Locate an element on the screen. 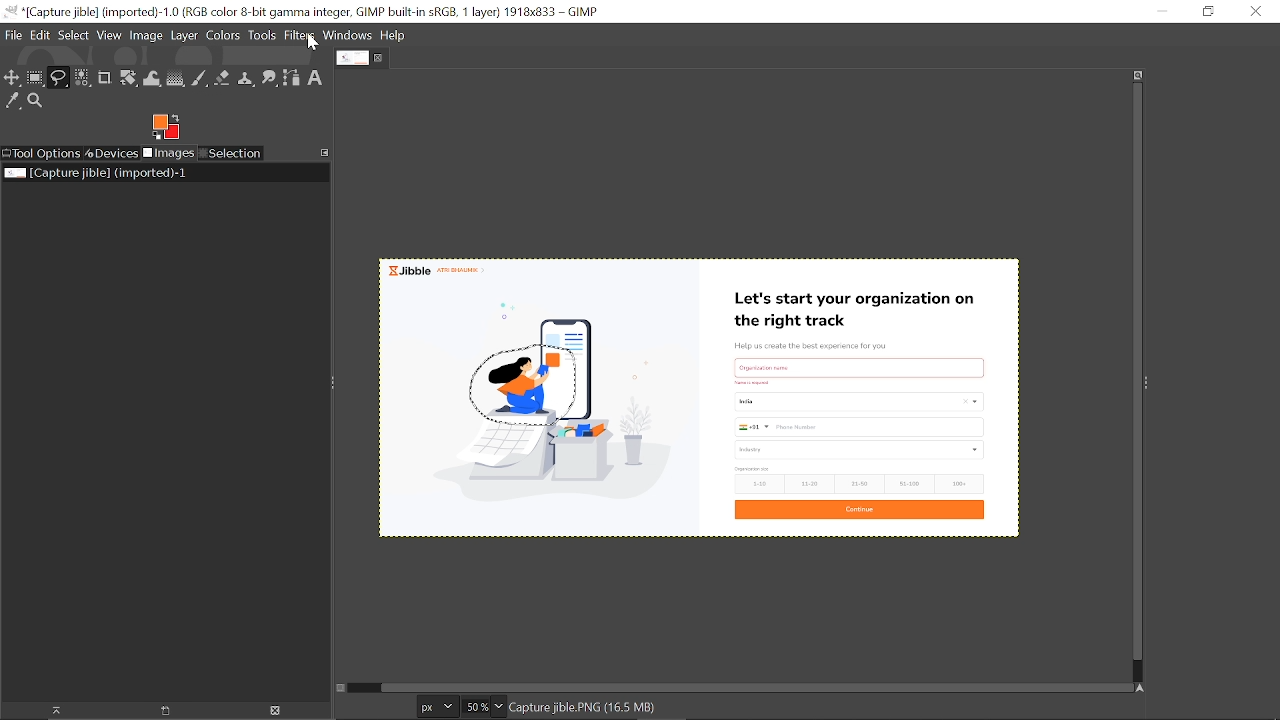 The height and width of the screenshot is (720, 1280). Image is located at coordinates (146, 34).